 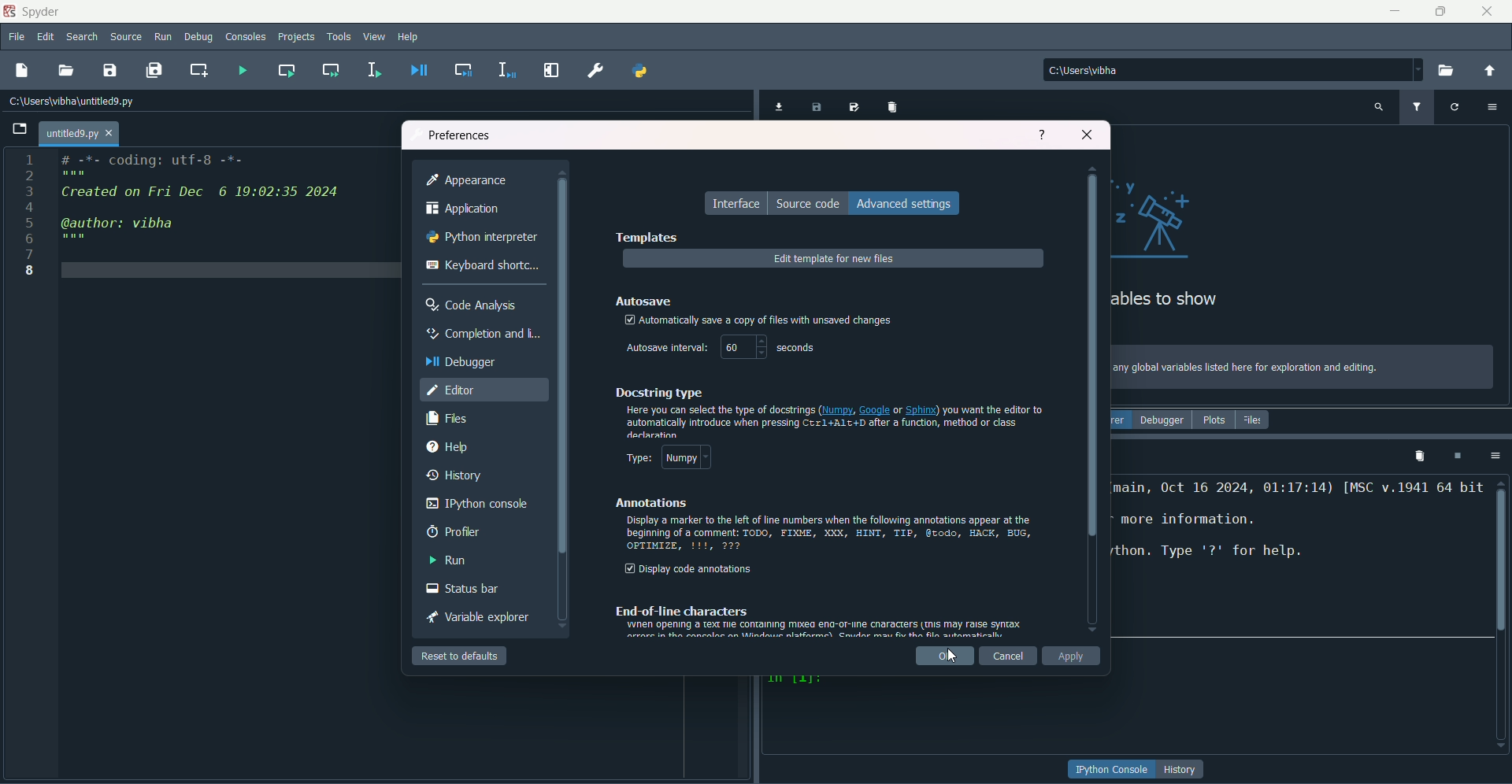 I want to click on run file, so click(x=239, y=69).